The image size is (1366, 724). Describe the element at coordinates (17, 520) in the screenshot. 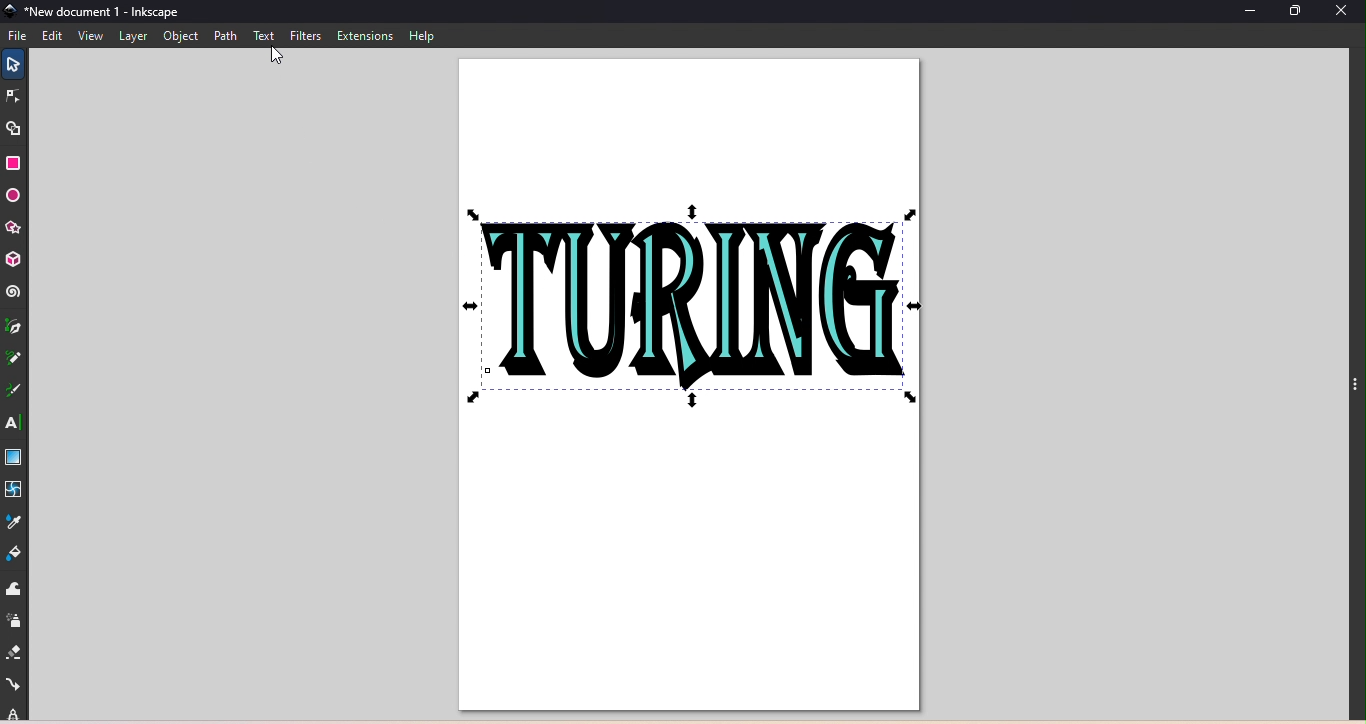

I see `Dropper tool` at that location.